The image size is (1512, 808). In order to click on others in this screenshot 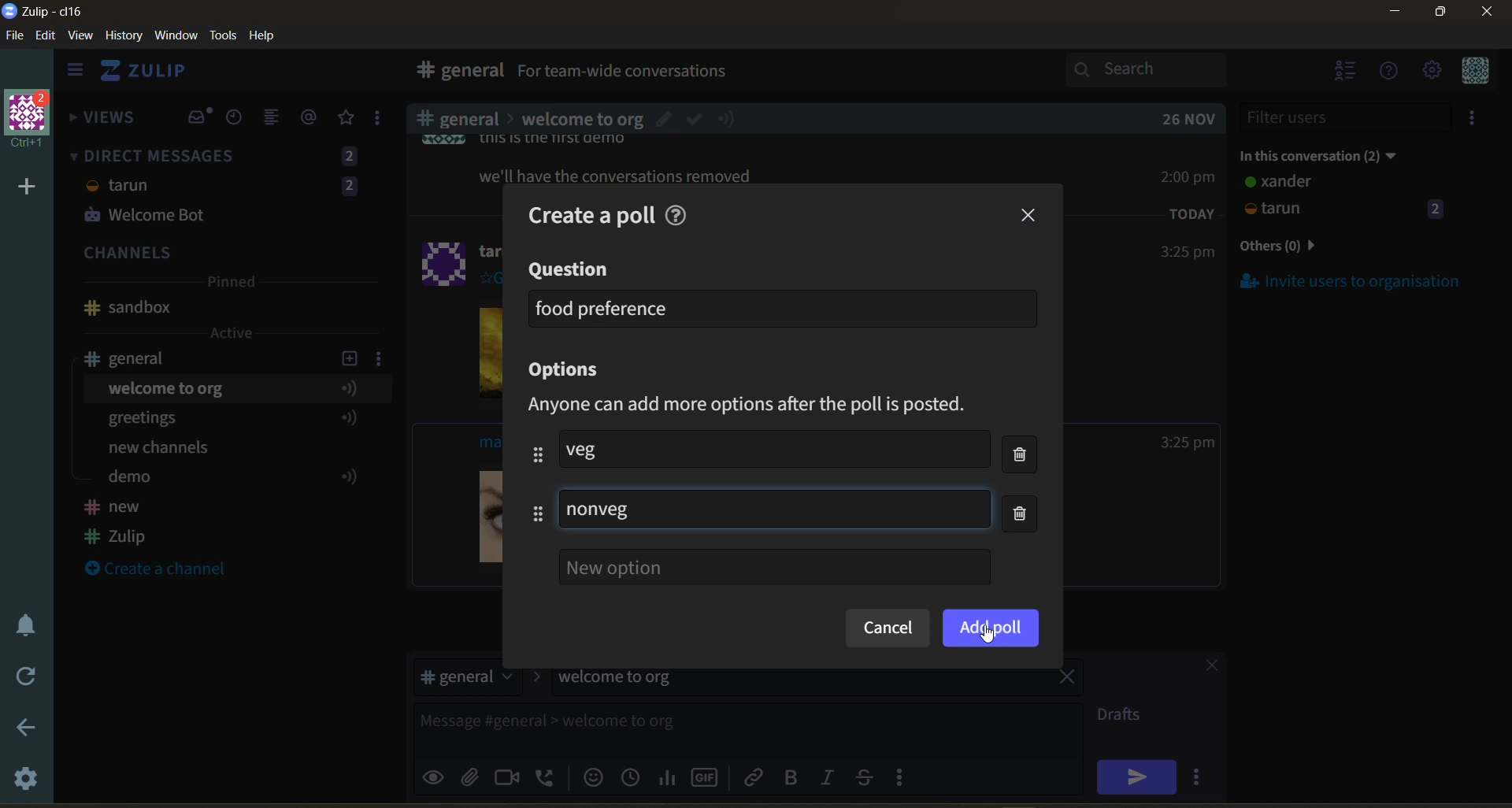, I will do `click(1303, 247)`.